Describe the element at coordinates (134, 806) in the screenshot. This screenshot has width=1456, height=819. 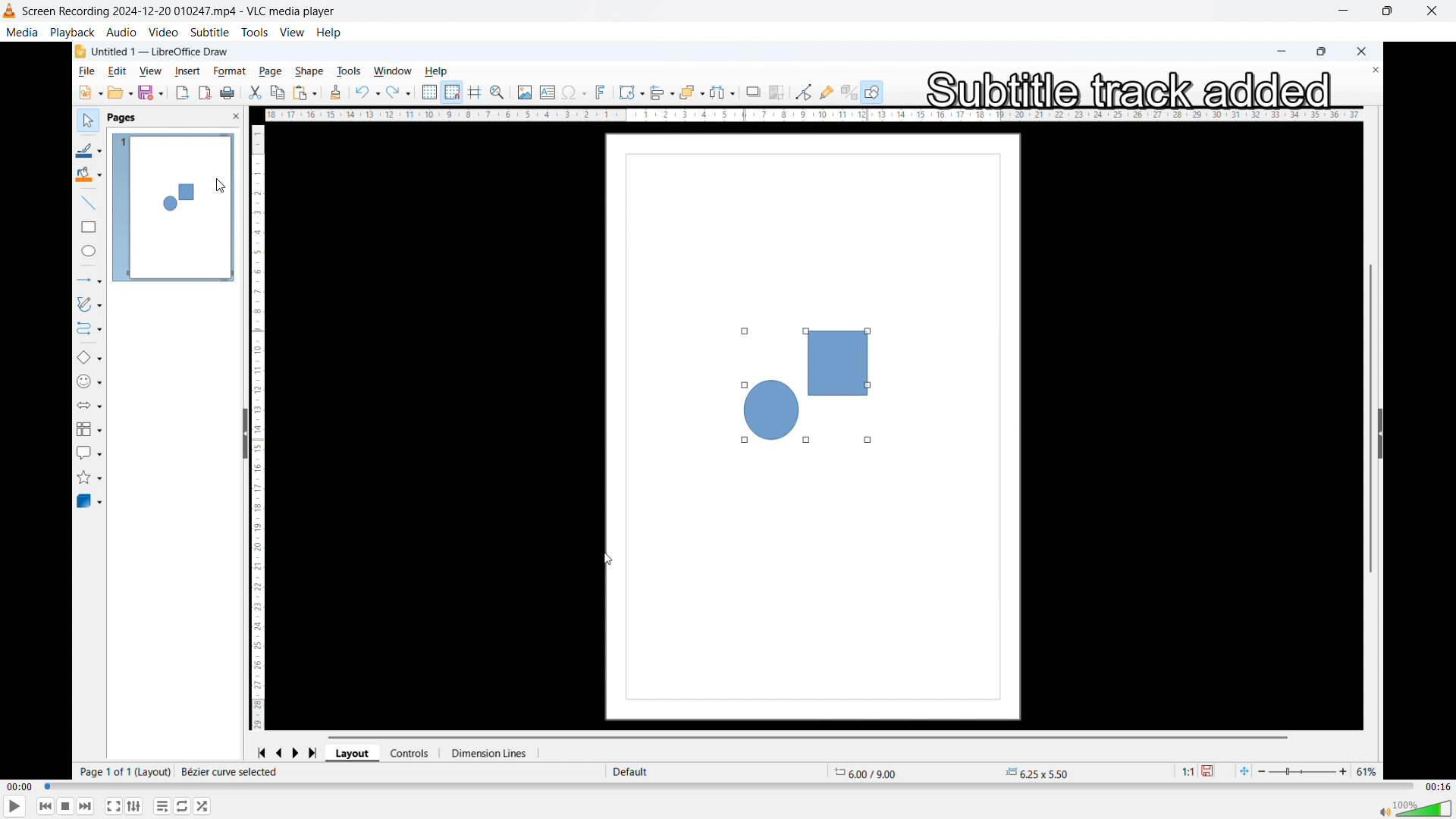
I see `Show advanced settings ` at that location.